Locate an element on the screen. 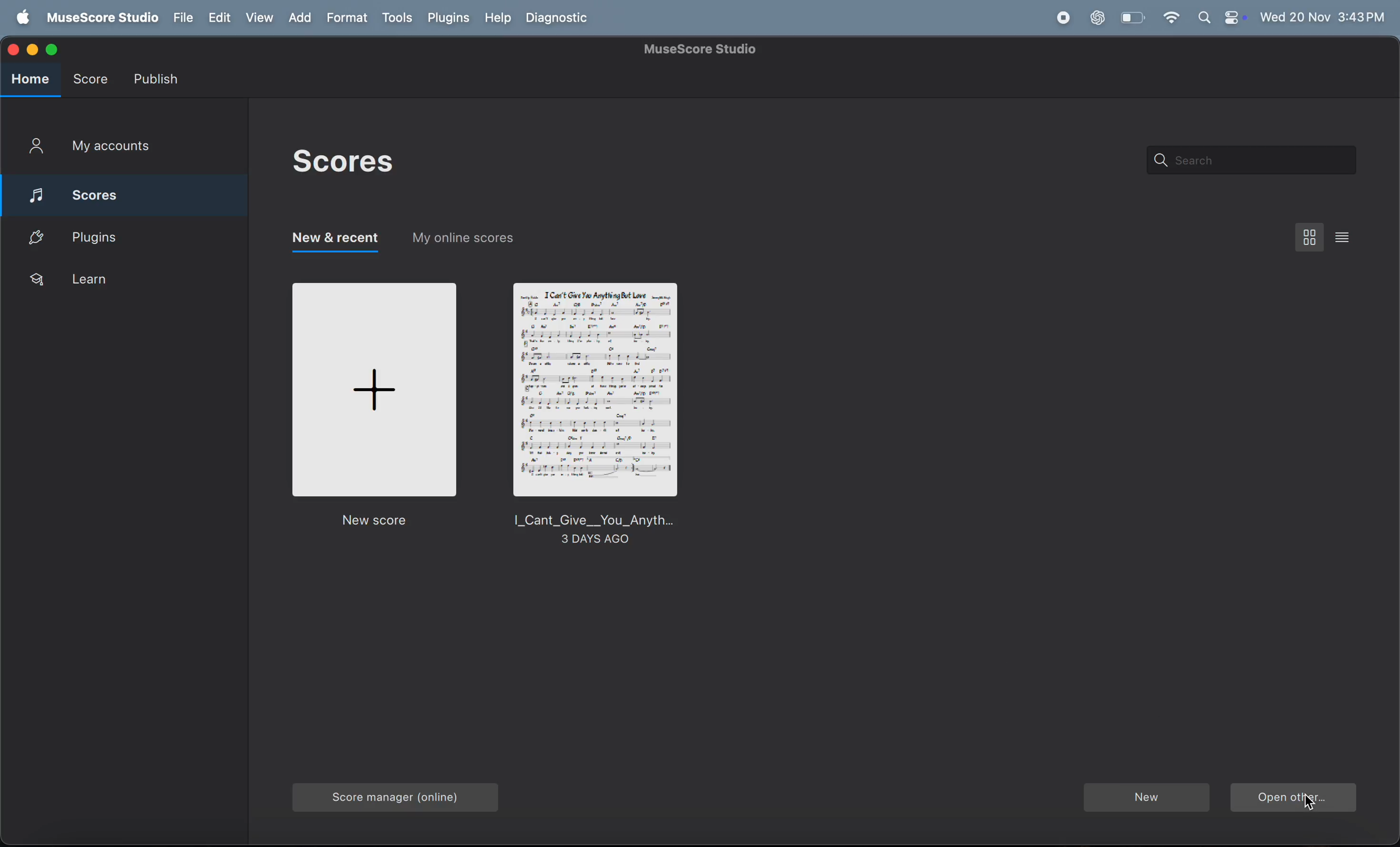 Image resolution: width=1400 pixels, height=847 pixels. scores is located at coordinates (127, 193).